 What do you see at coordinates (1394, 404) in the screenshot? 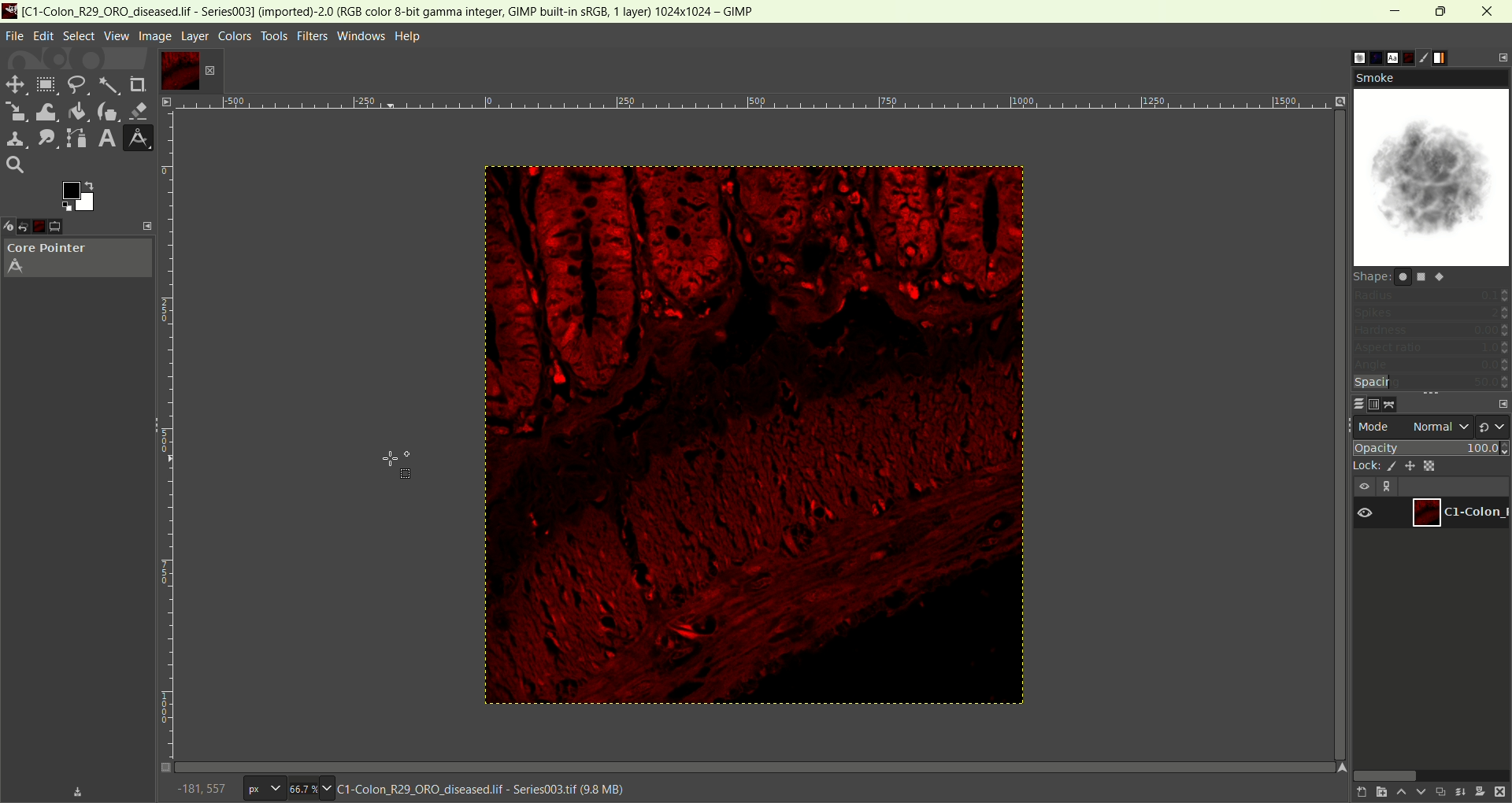
I see `paths` at bounding box center [1394, 404].